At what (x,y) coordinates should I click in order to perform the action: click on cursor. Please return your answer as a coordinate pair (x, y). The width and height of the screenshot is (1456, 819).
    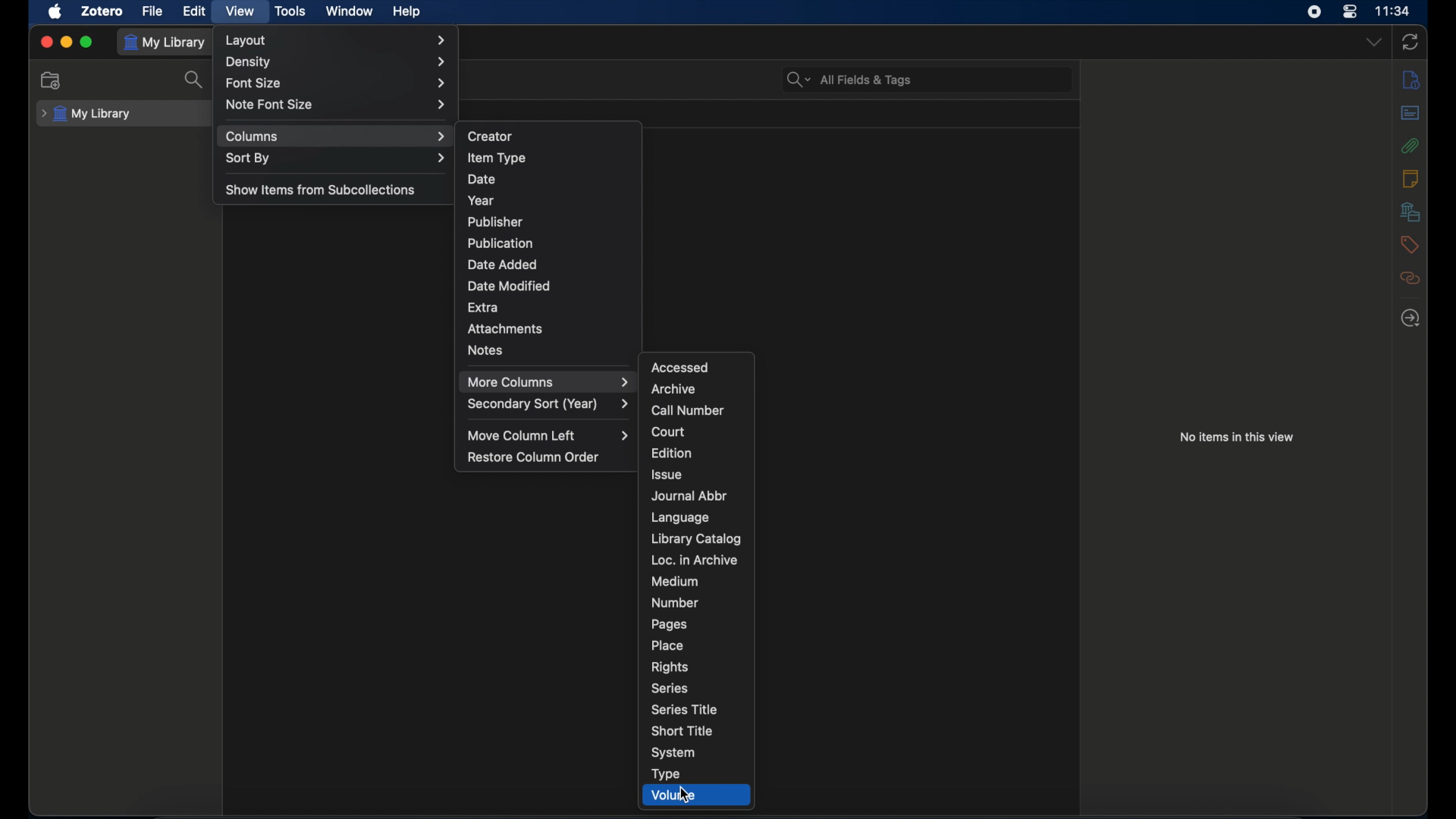
    Looking at the image, I should click on (683, 796).